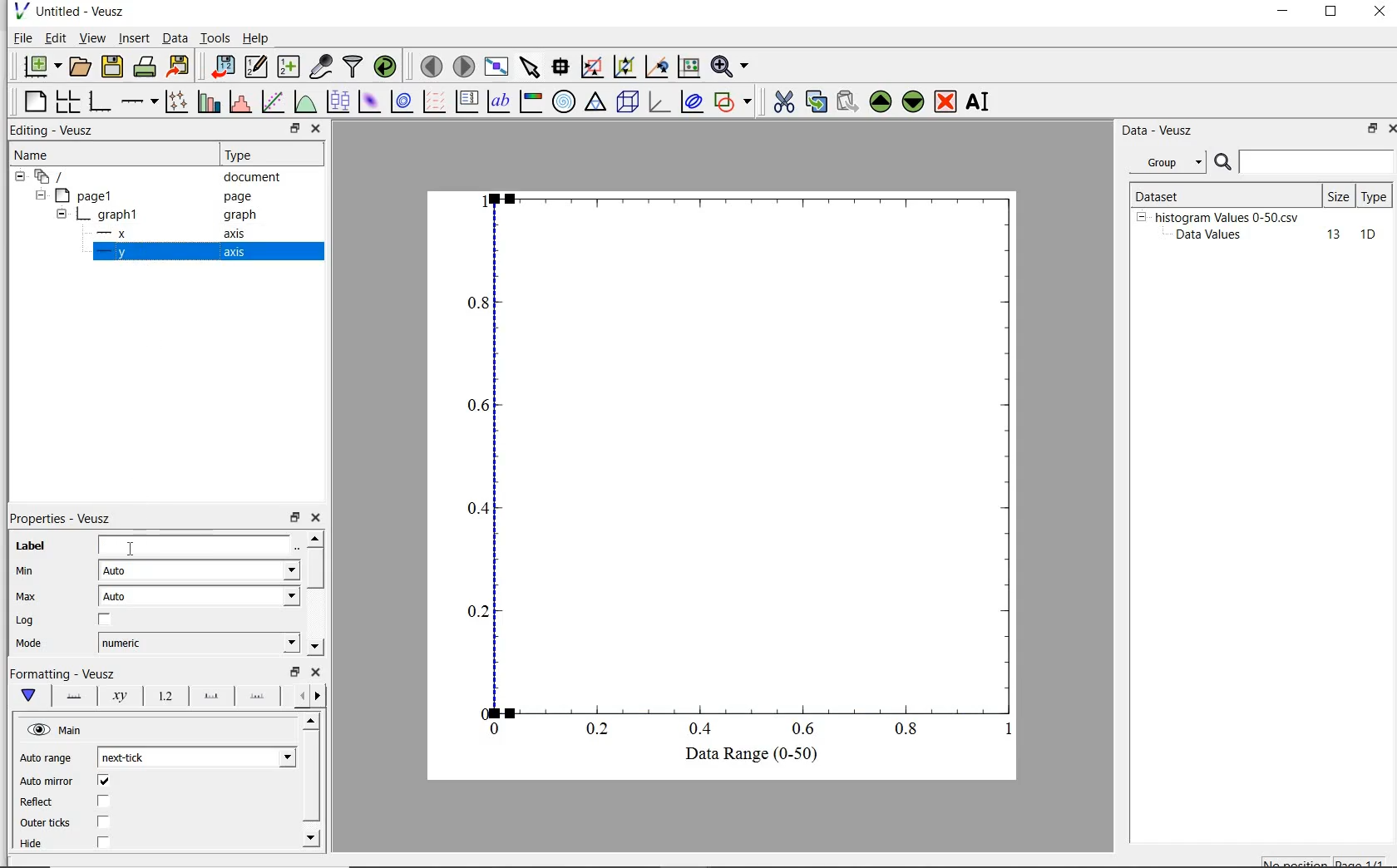 This screenshot has width=1397, height=868. Describe the element at coordinates (104, 782) in the screenshot. I see `checkbox` at that location.